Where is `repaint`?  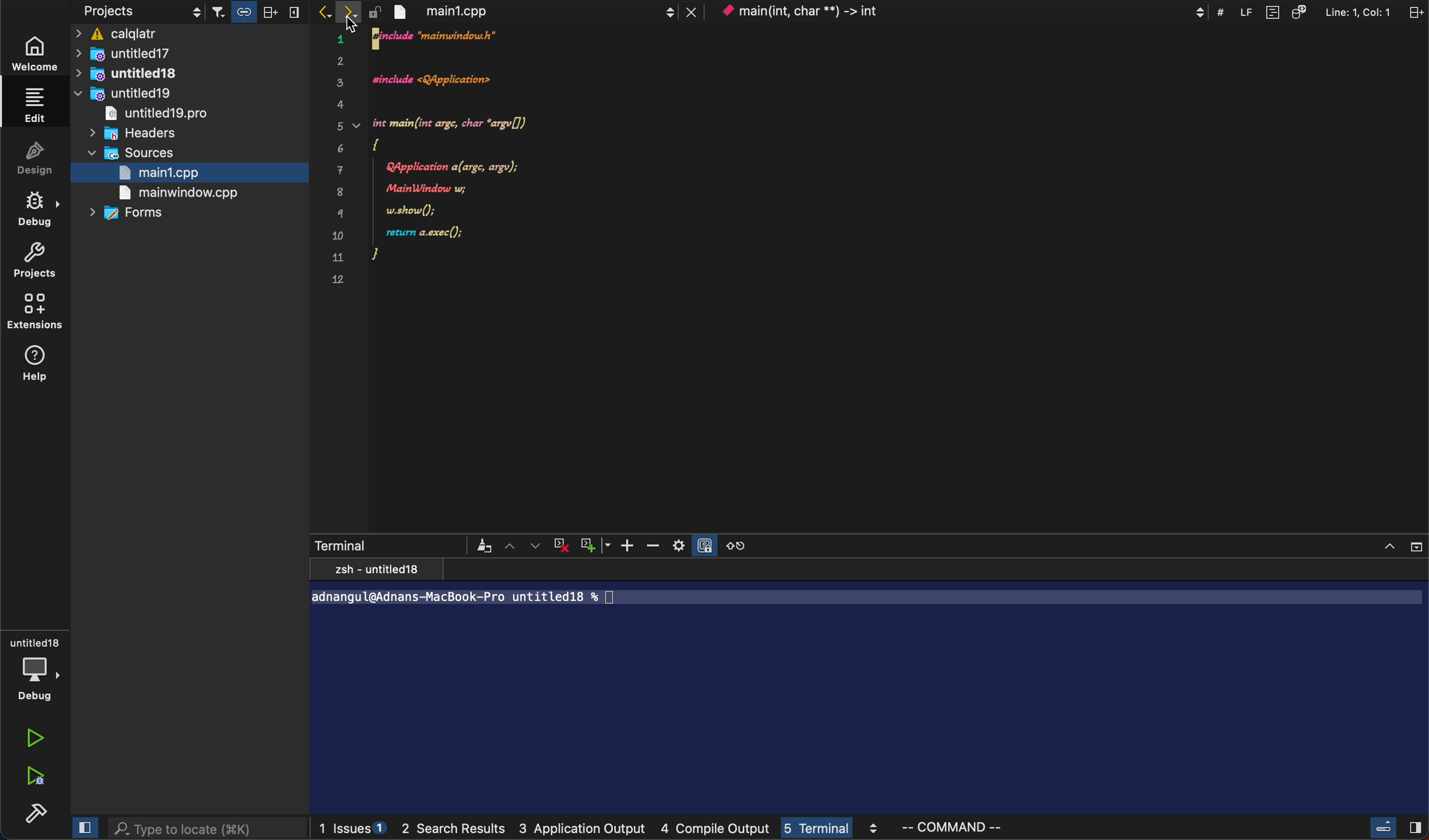 repaint is located at coordinates (484, 546).